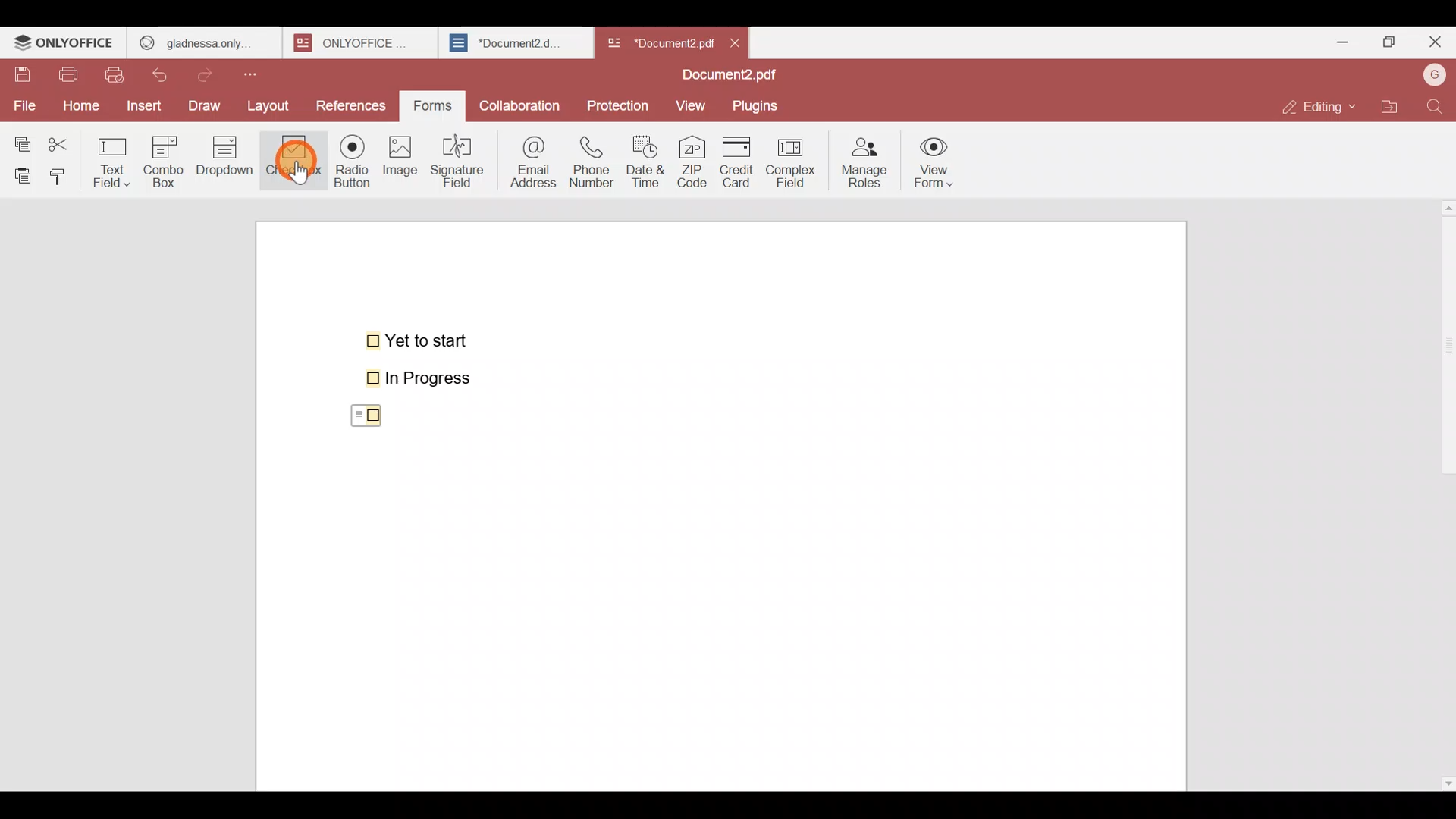 The image size is (1456, 819). Describe the element at coordinates (65, 141) in the screenshot. I see `Cut` at that location.